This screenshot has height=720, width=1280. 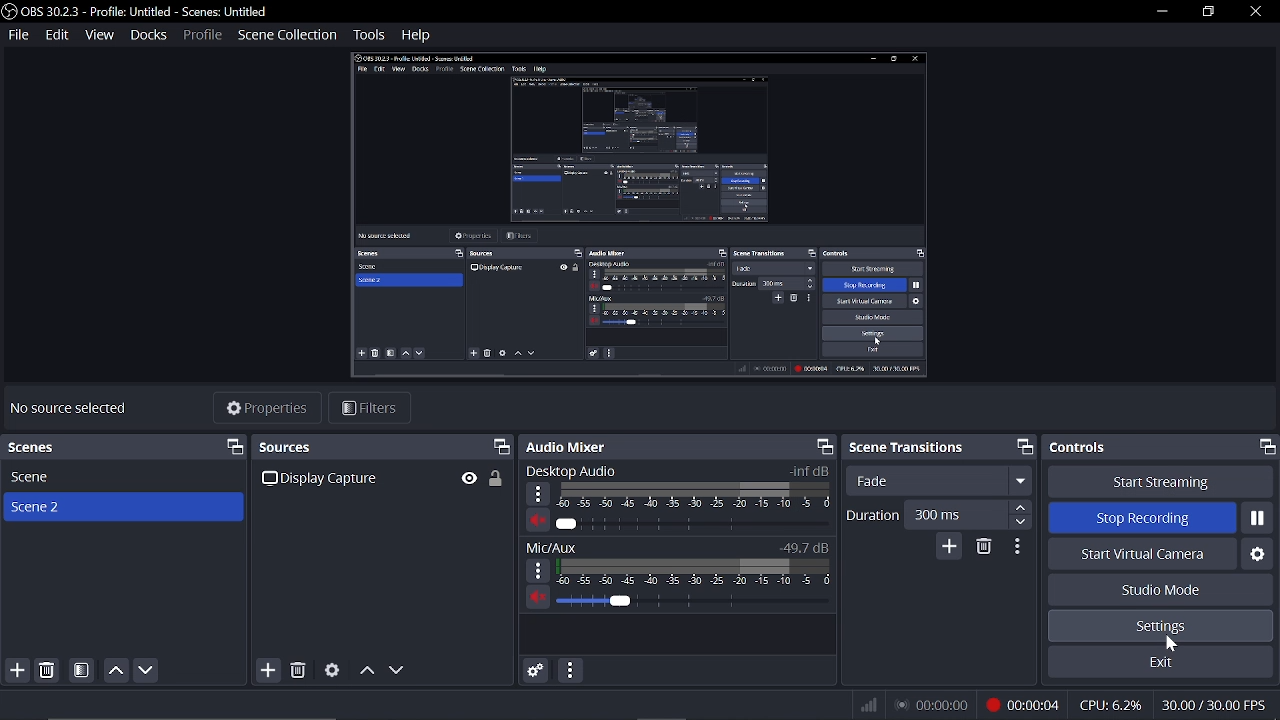 What do you see at coordinates (949, 546) in the screenshot?
I see `add transitions` at bounding box center [949, 546].